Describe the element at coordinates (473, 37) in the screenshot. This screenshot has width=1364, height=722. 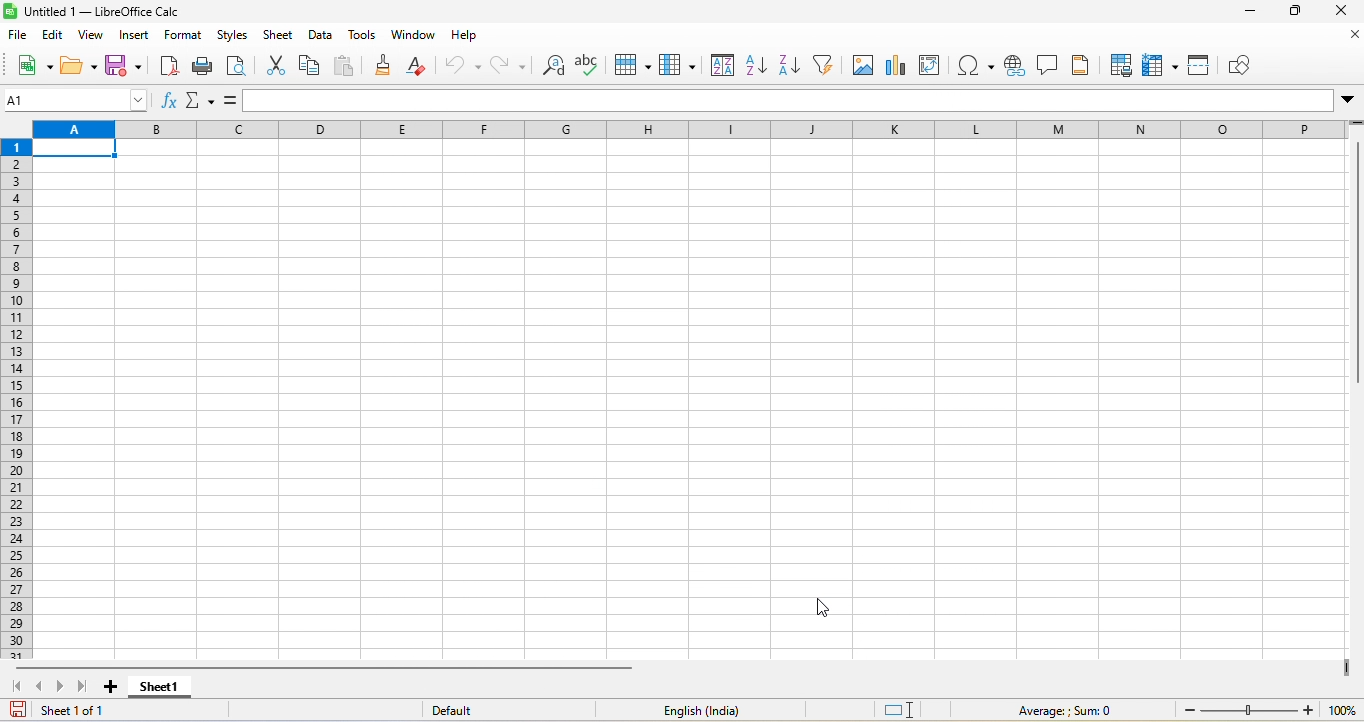
I see `help` at that location.